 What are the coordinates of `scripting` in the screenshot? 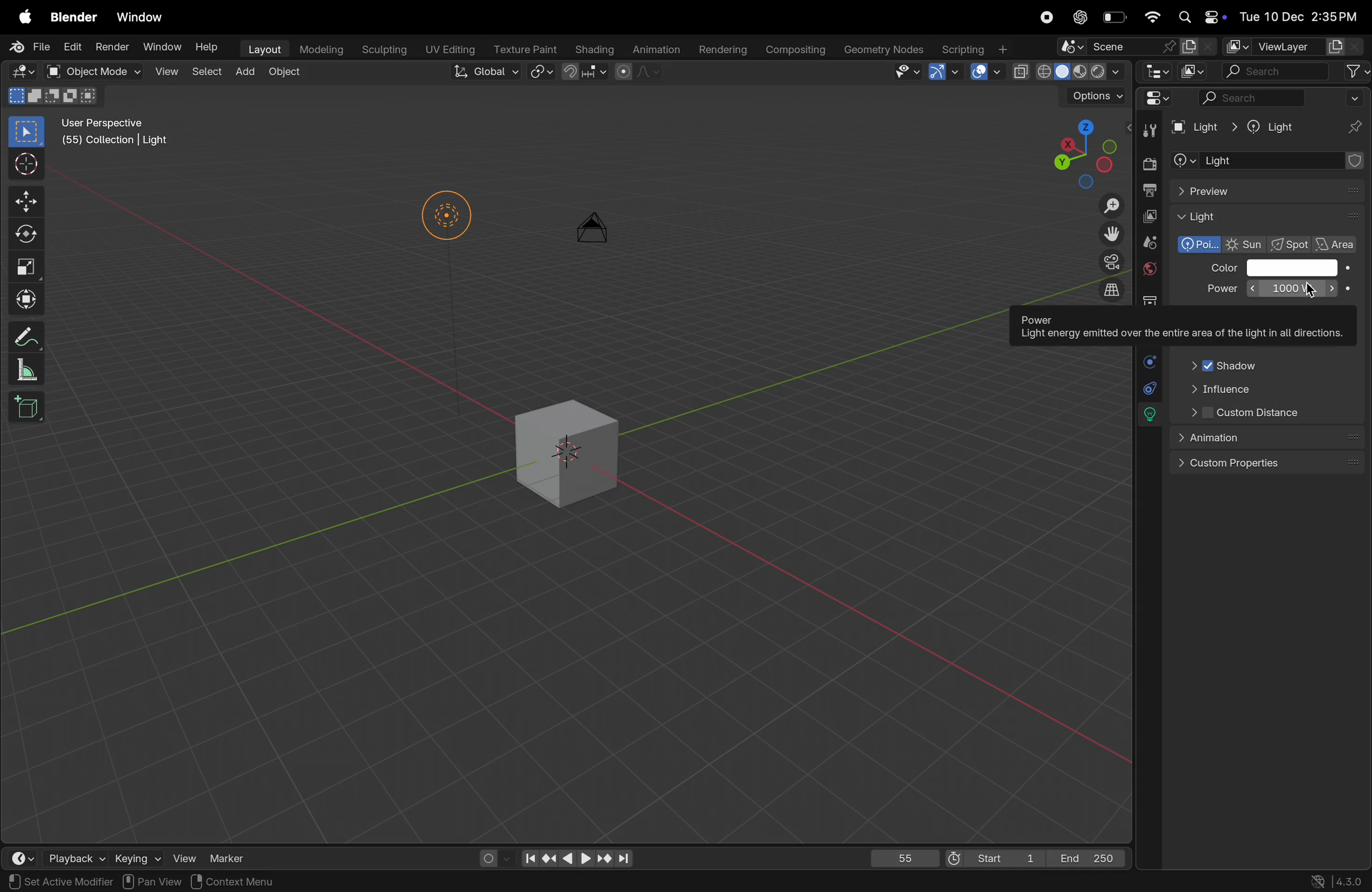 It's located at (976, 50).